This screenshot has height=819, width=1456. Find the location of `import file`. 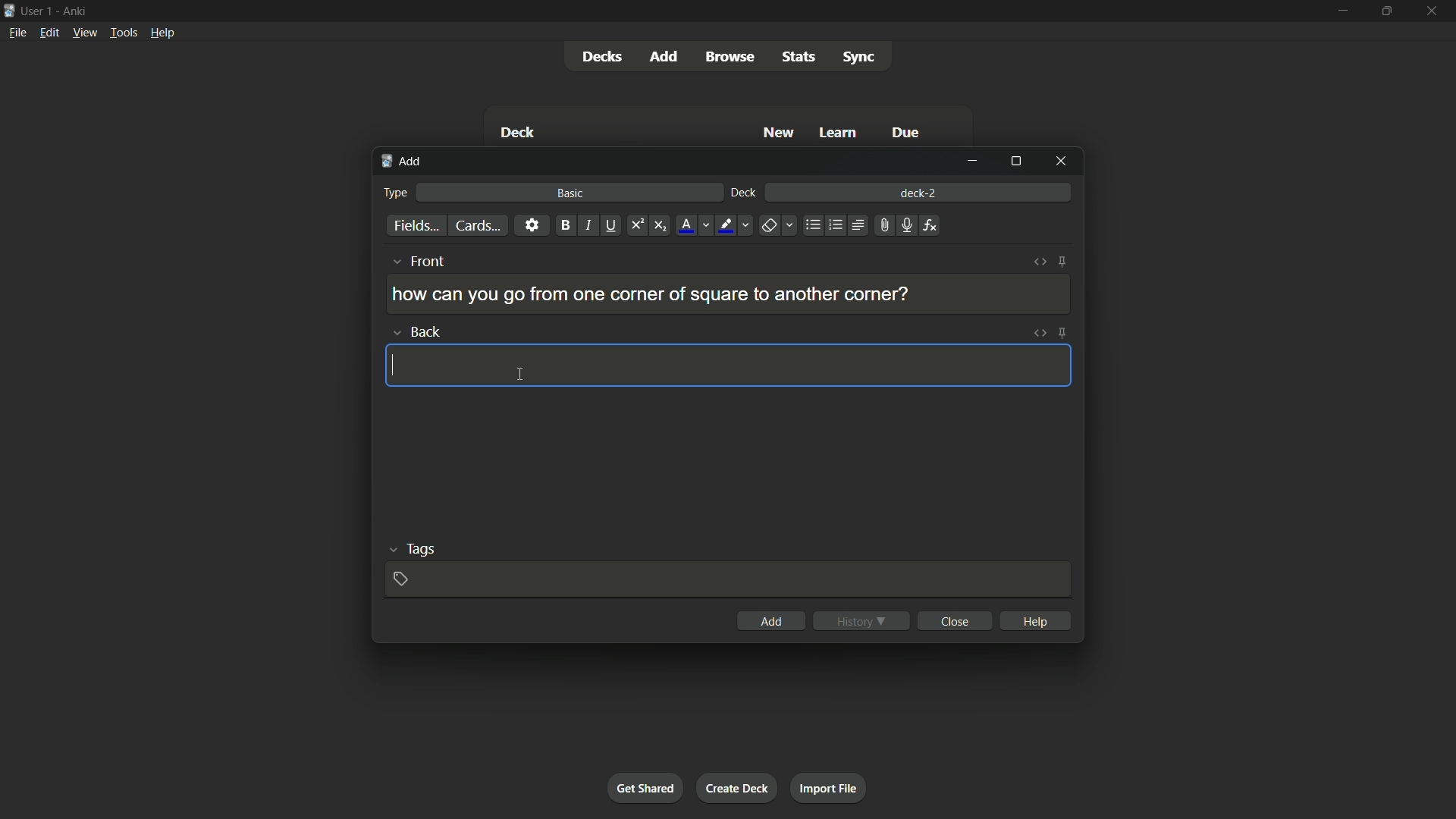

import file is located at coordinates (830, 789).